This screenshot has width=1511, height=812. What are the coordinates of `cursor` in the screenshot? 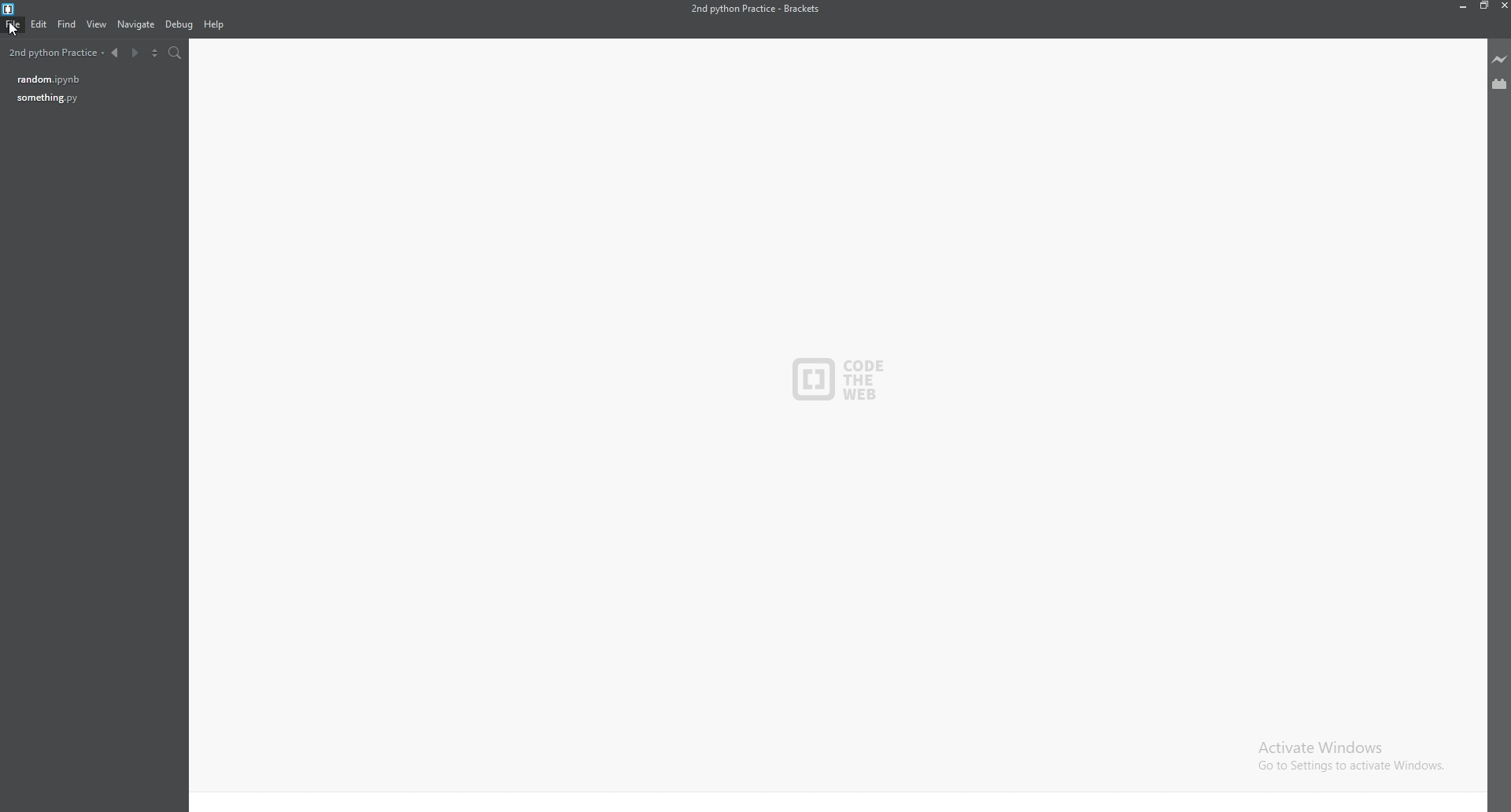 It's located at (14, 30).